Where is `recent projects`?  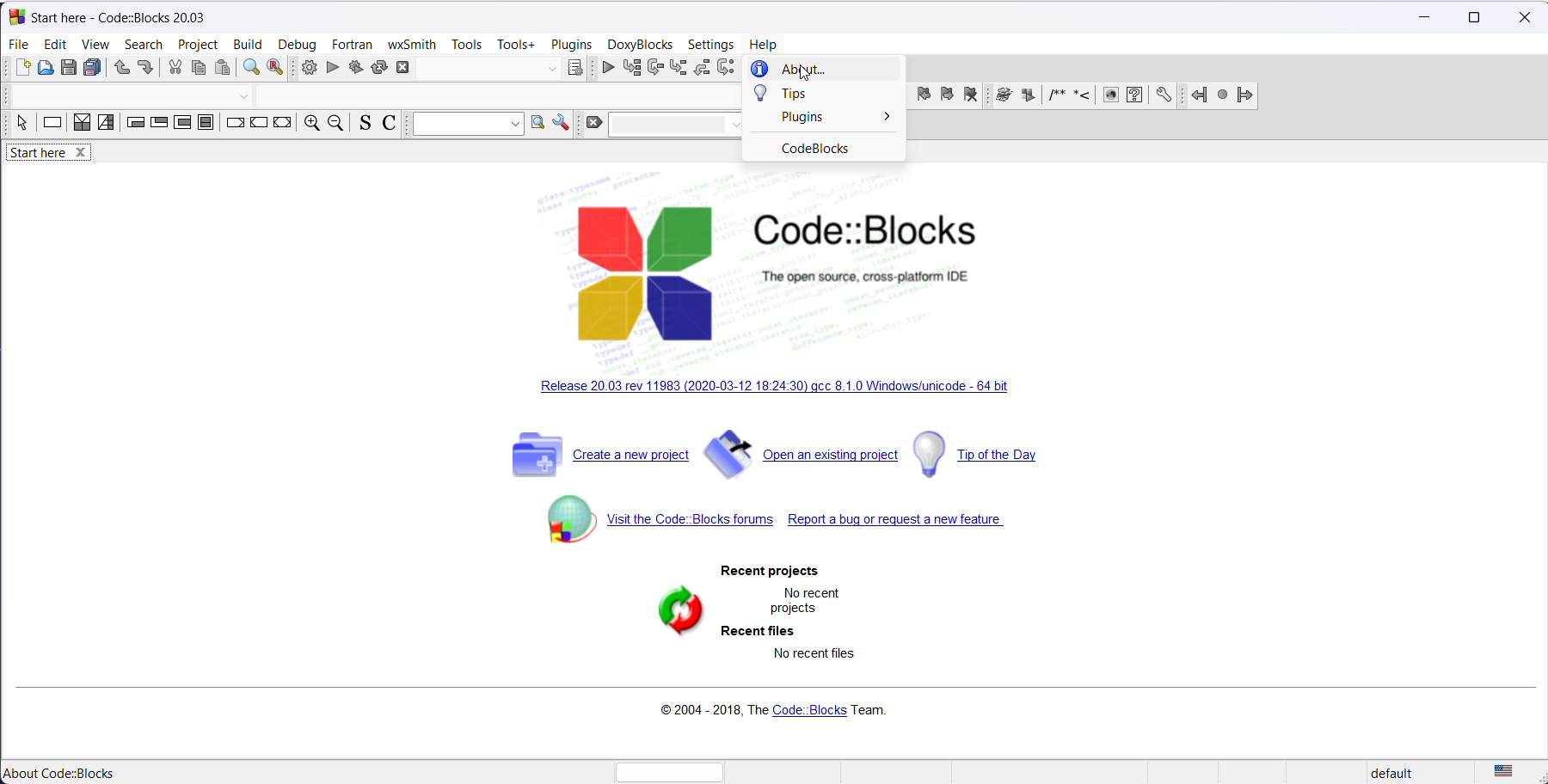
recent projects is located at coordinates (777, 573).